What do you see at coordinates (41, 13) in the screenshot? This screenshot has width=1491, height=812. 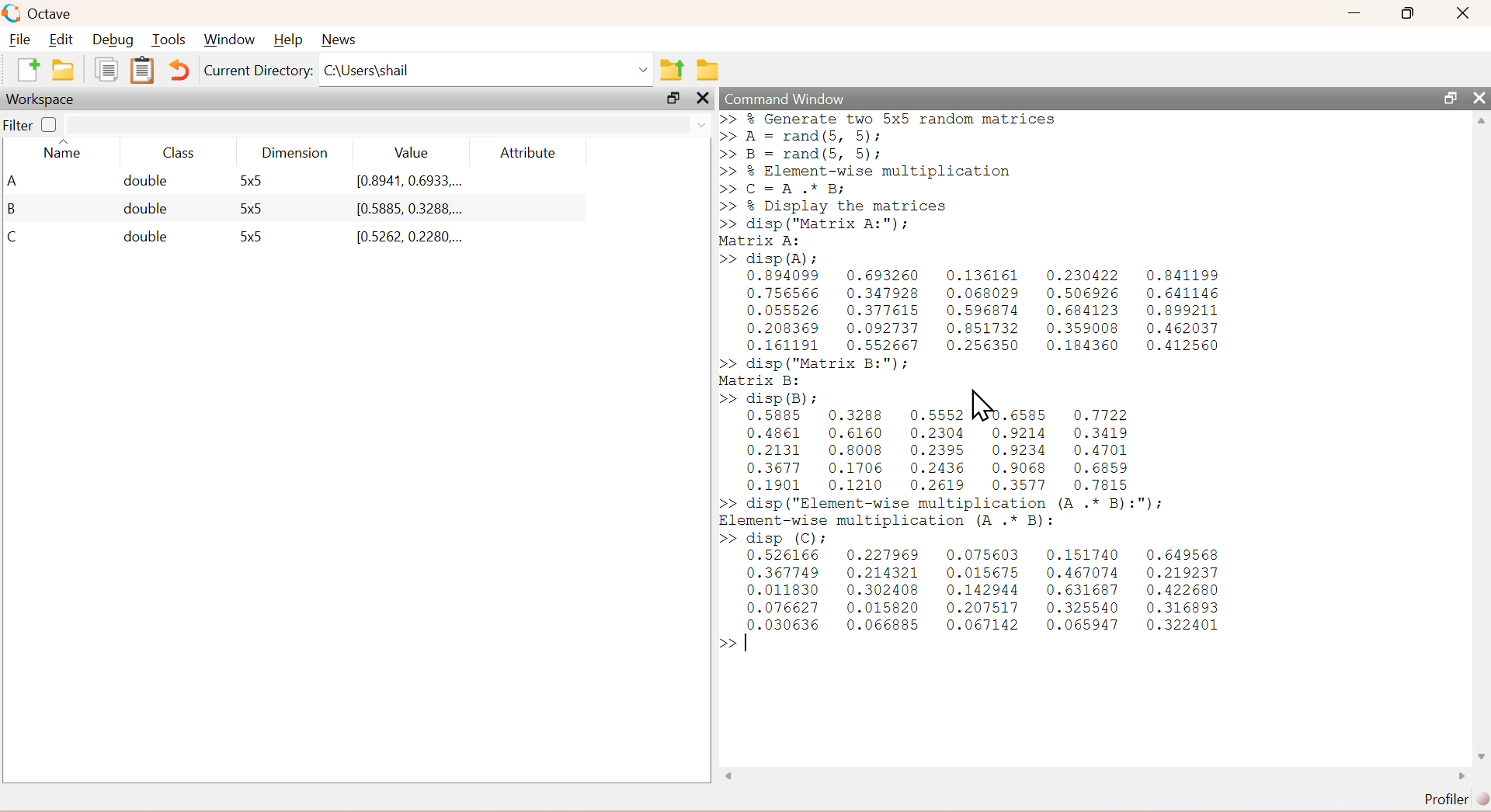 I see `Octave` at bounding box center [41, 13].